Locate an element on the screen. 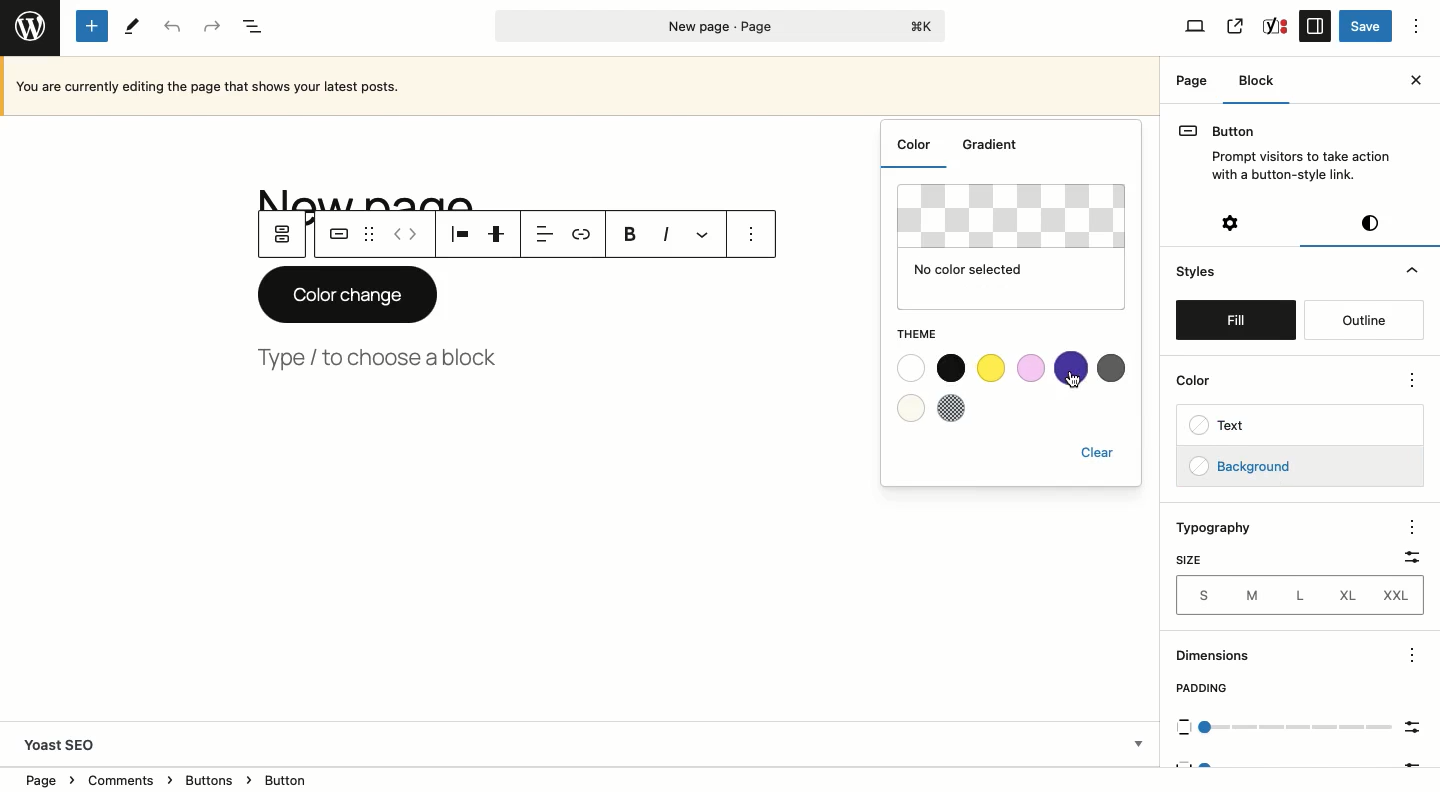  Color change button is located at coordinates (346, 295).